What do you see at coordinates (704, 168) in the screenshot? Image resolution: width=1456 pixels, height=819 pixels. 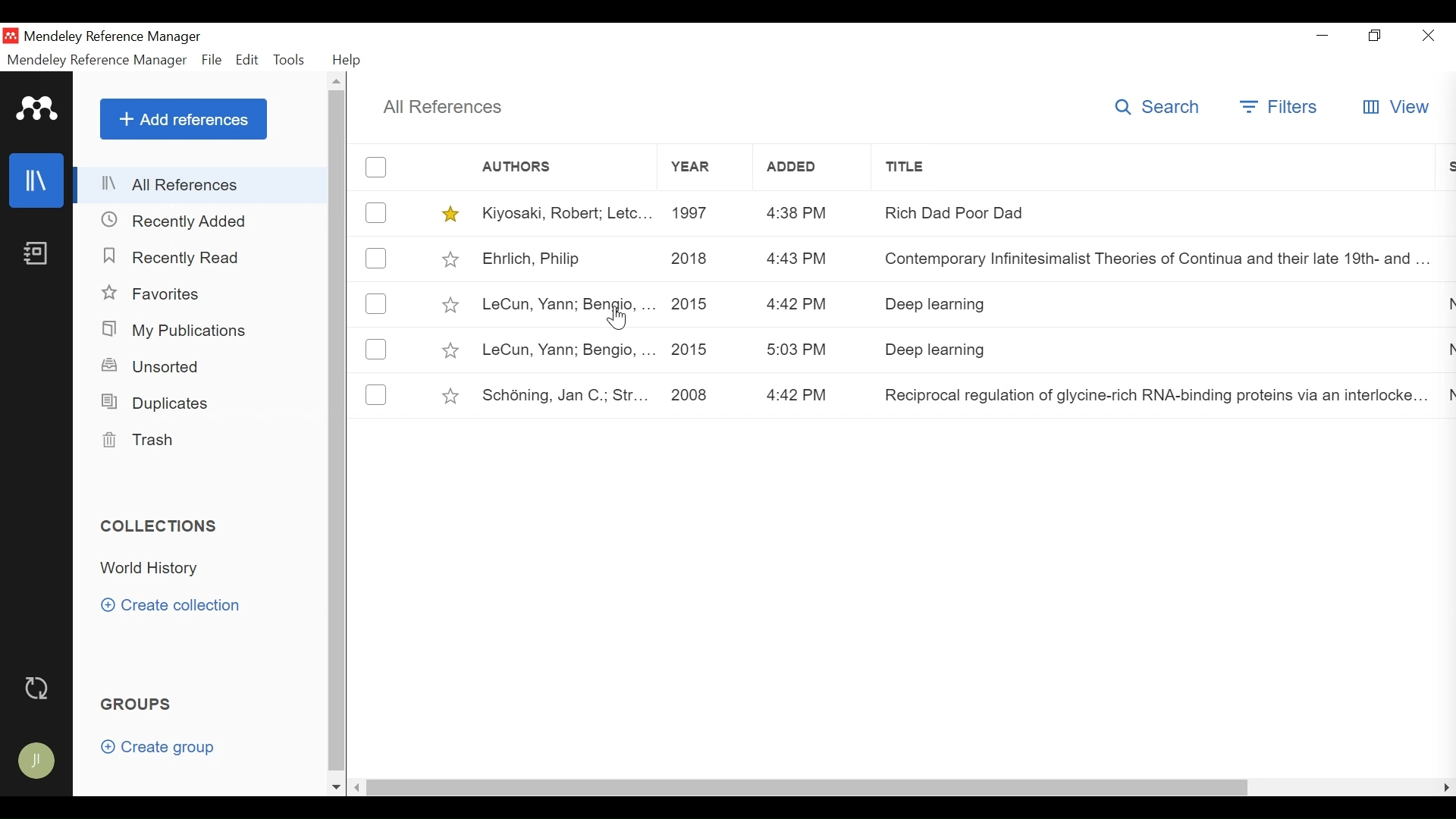 I see `Year` at bounding box center [704, 168].